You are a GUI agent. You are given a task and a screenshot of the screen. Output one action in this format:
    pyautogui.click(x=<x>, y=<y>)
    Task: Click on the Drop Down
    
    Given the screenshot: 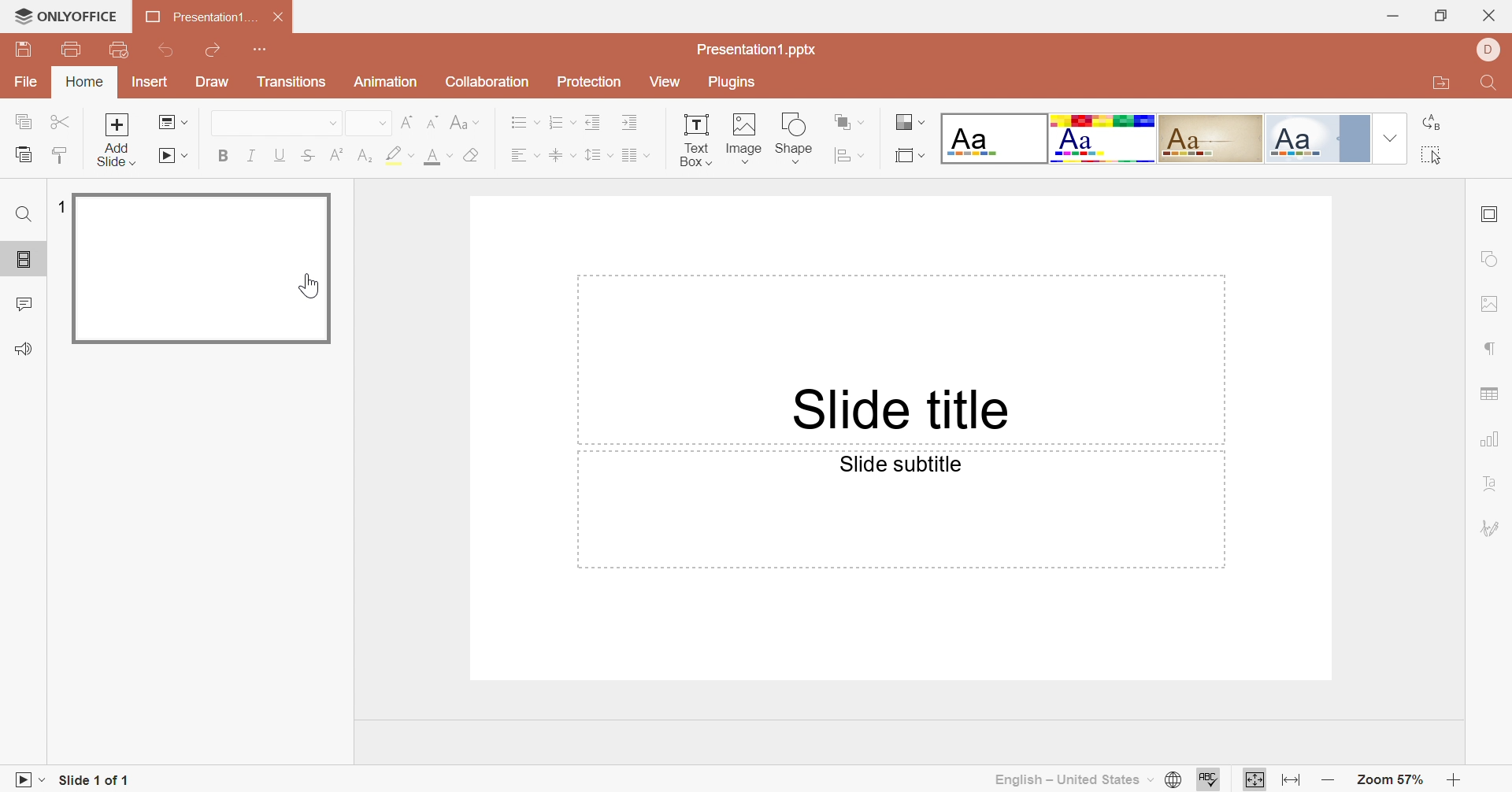 What is the action you would take?
    pyautogui.click(x=450, y=154)
    